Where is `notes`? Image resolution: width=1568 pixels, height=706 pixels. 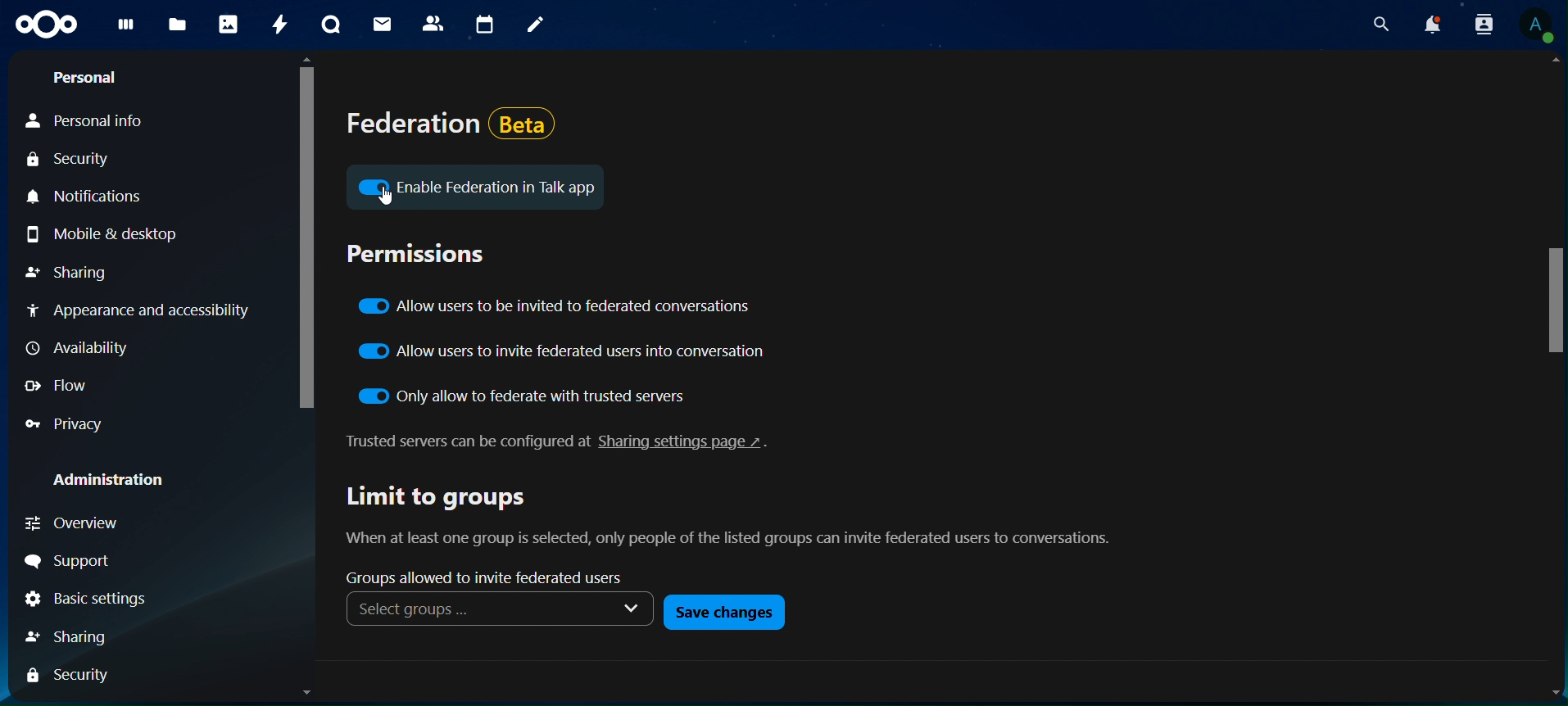 notes is located at coordinates (537, 27).